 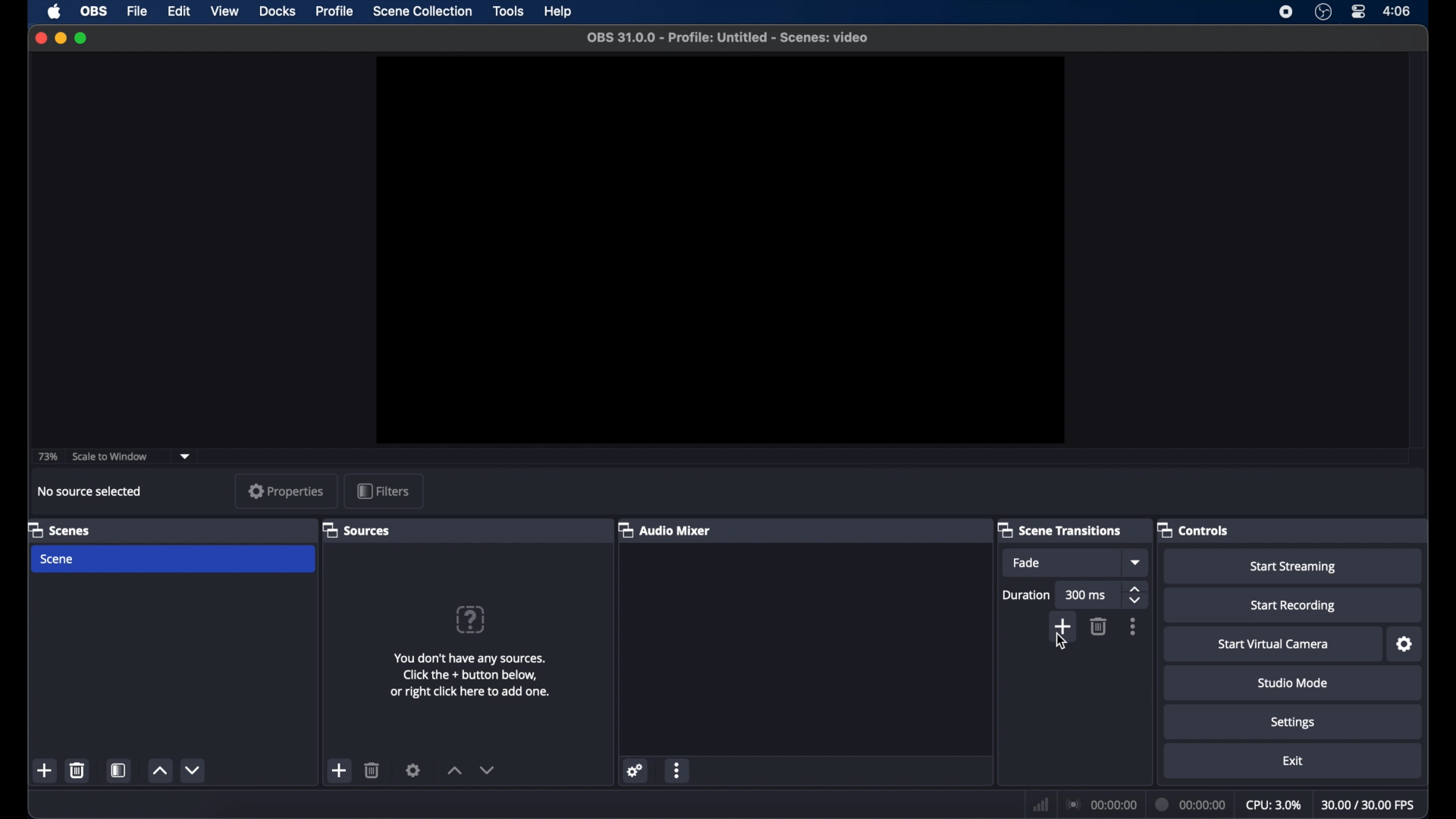 What do you see at coordinates (38, 37) in the screenshot?
I see `close` at bounding box center [38, 37].